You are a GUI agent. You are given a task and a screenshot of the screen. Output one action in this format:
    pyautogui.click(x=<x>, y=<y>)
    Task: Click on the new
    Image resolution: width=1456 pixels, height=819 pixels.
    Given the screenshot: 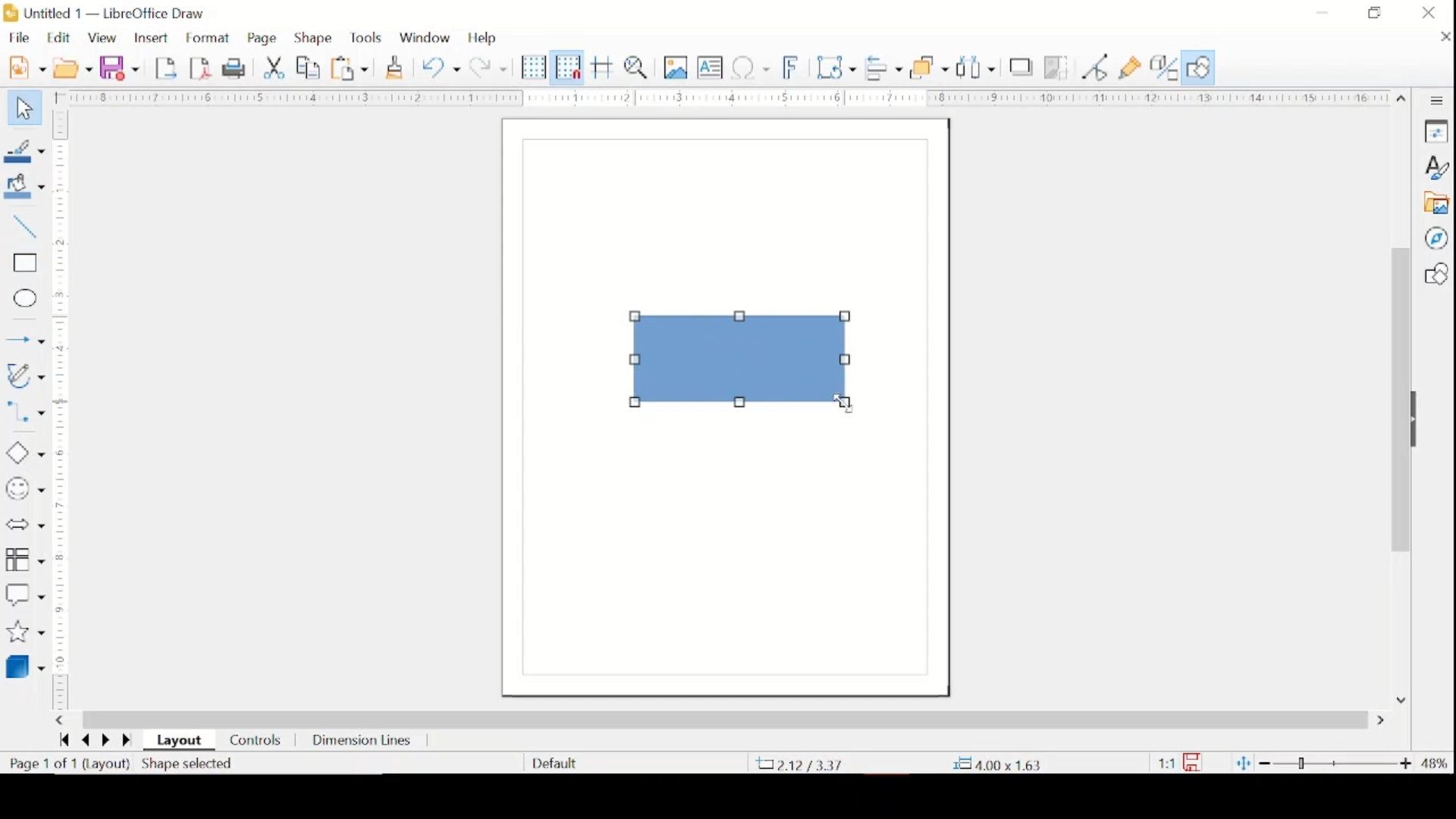 What is the action you would take?
    pyautogui.click(x=27, y=66)
    